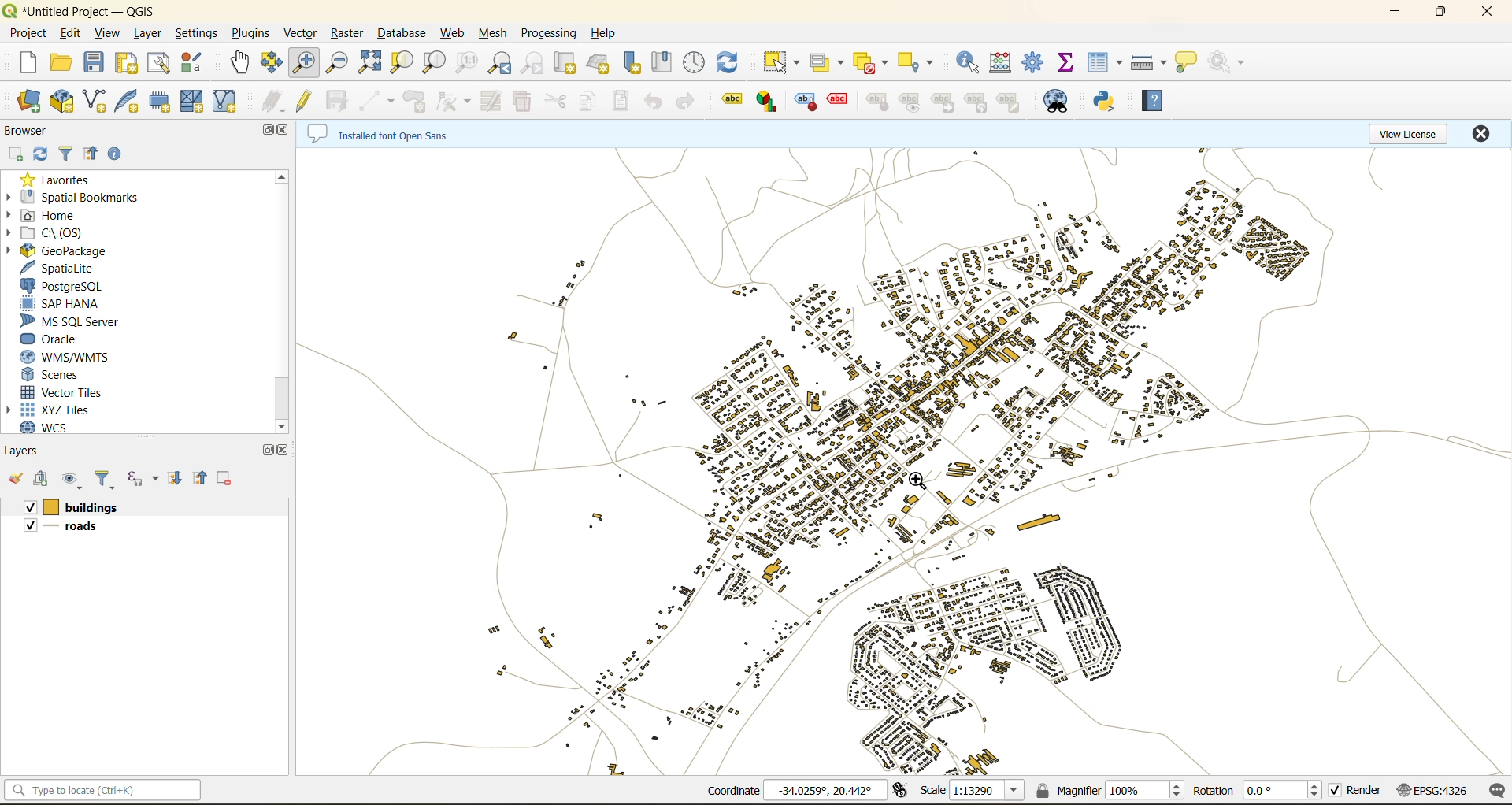 The height and width of the screenshot is (805, 1512). What do you see at coordinates (55, 377) in the screenshot?
I see `scenes` at bounding box center [55, 377].